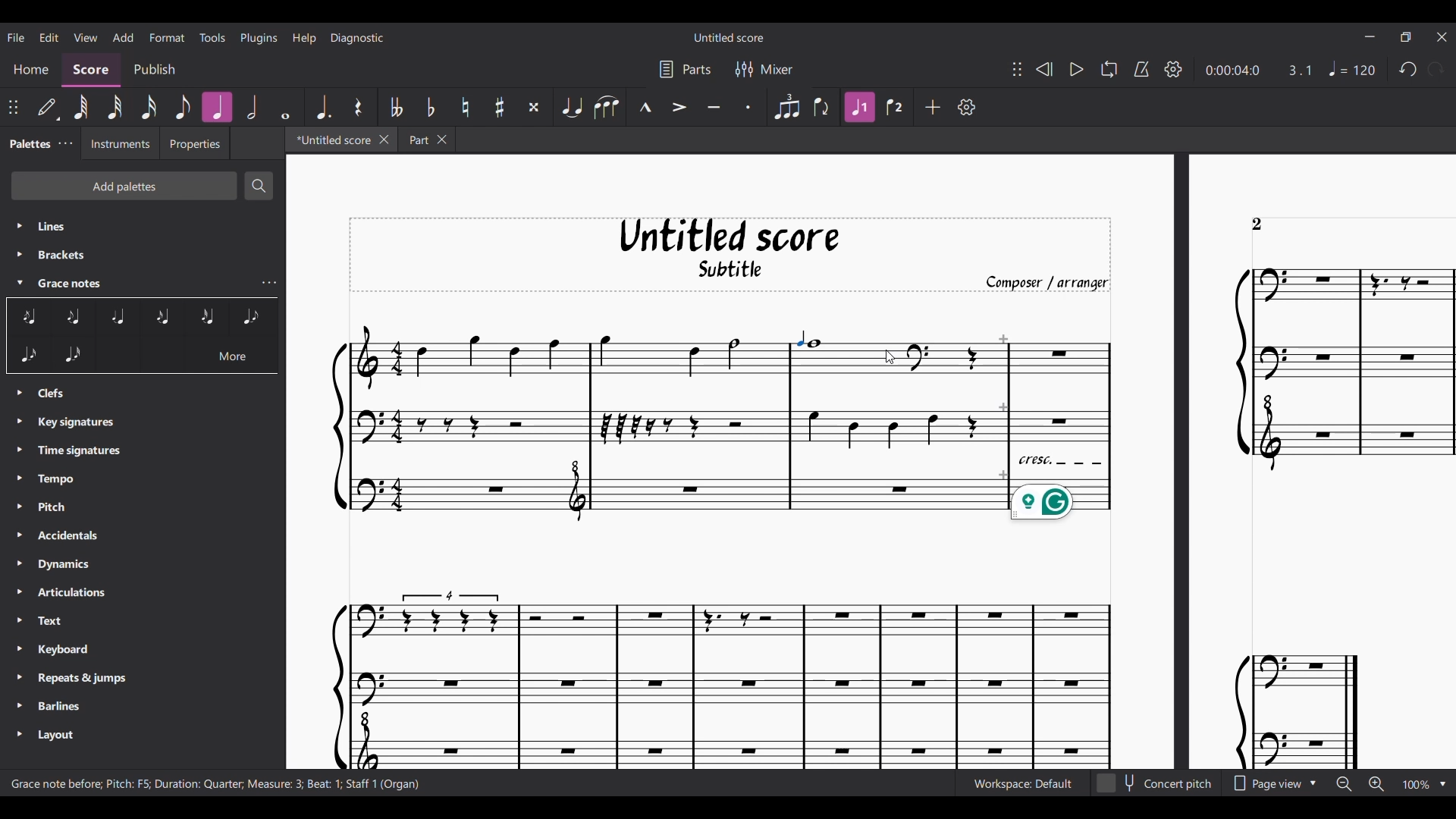  Describe the element at coordinates (356, 38) in the screenshot. I see `Diagnostic menu` at that location.